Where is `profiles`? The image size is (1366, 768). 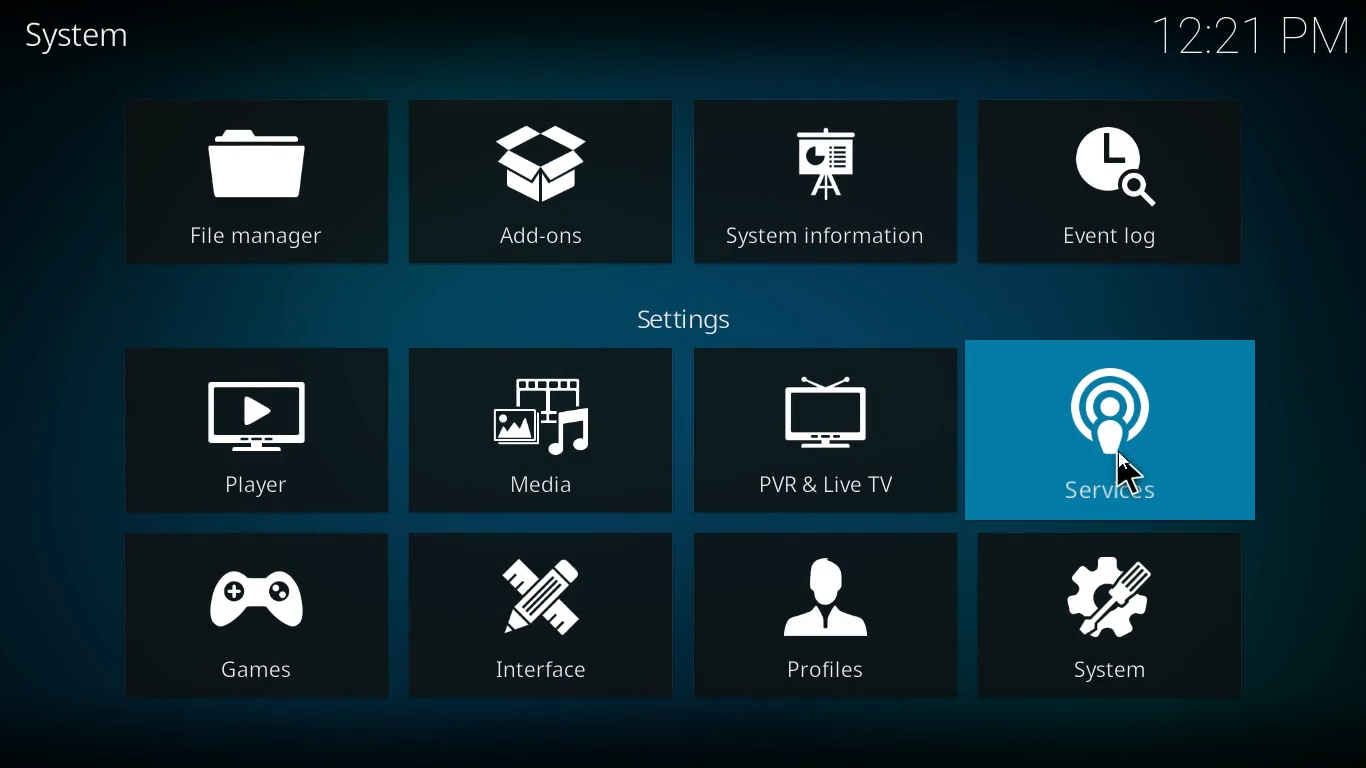 profiles is located at coordinates (825, 616).